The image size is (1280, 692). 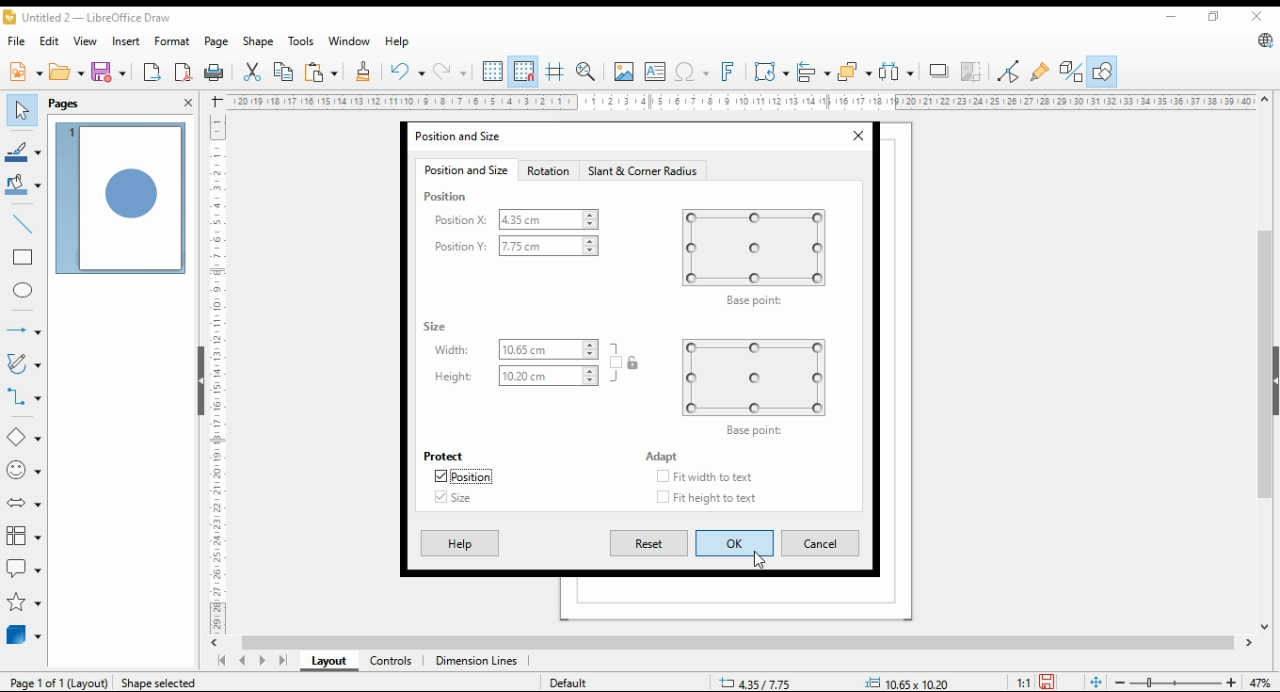 I want to click on zoom and pan, so click(x=586, y=72).